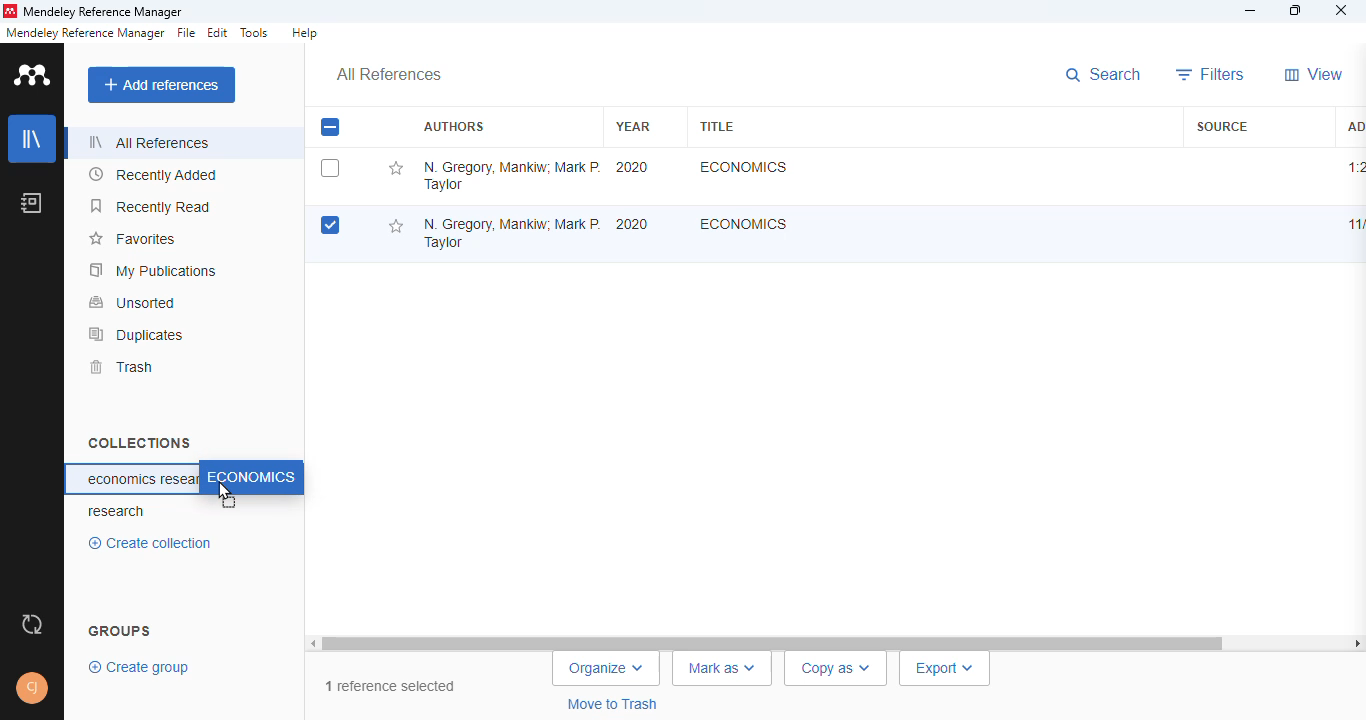 Image resolution: width=1366 pixels, height=720 pixels. What do you see at coordinates (149, 142) in the screenshot?
I see `all references` at bounding box center [149, 142].